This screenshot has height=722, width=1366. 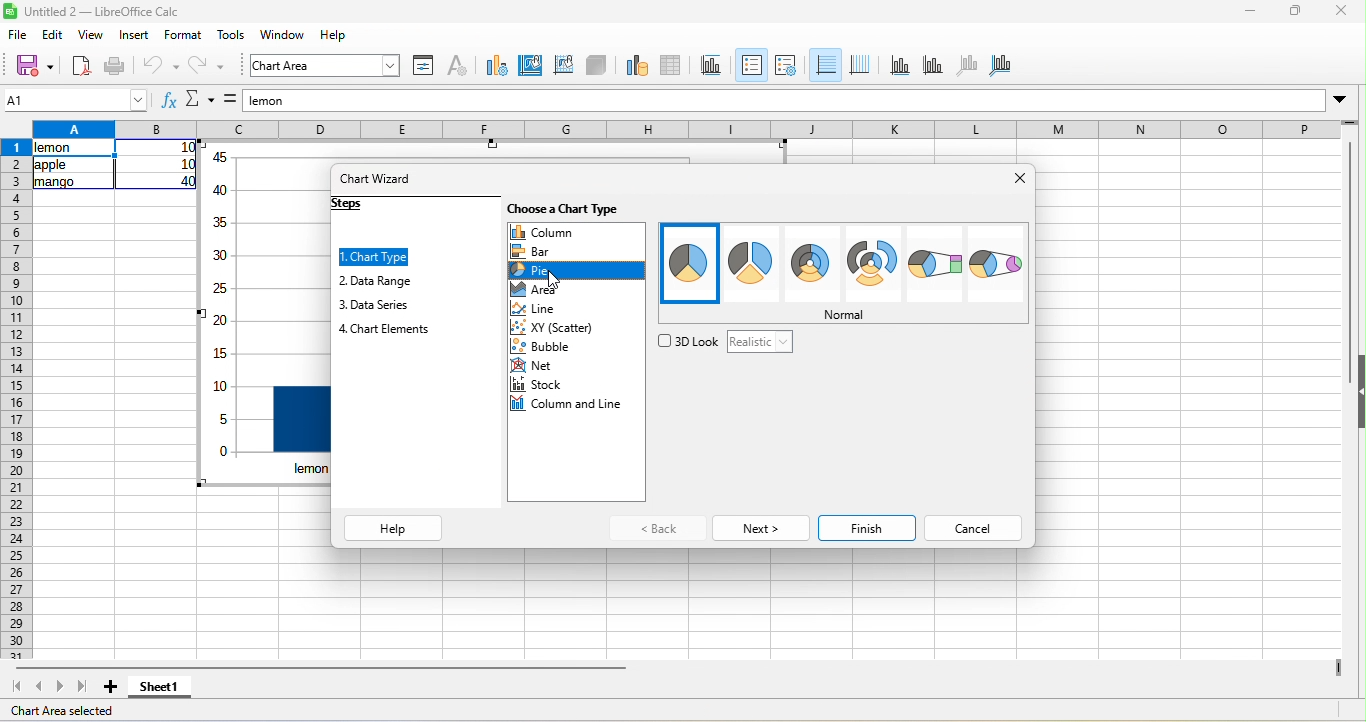 I want to click on net, so click(x=536, y=366).